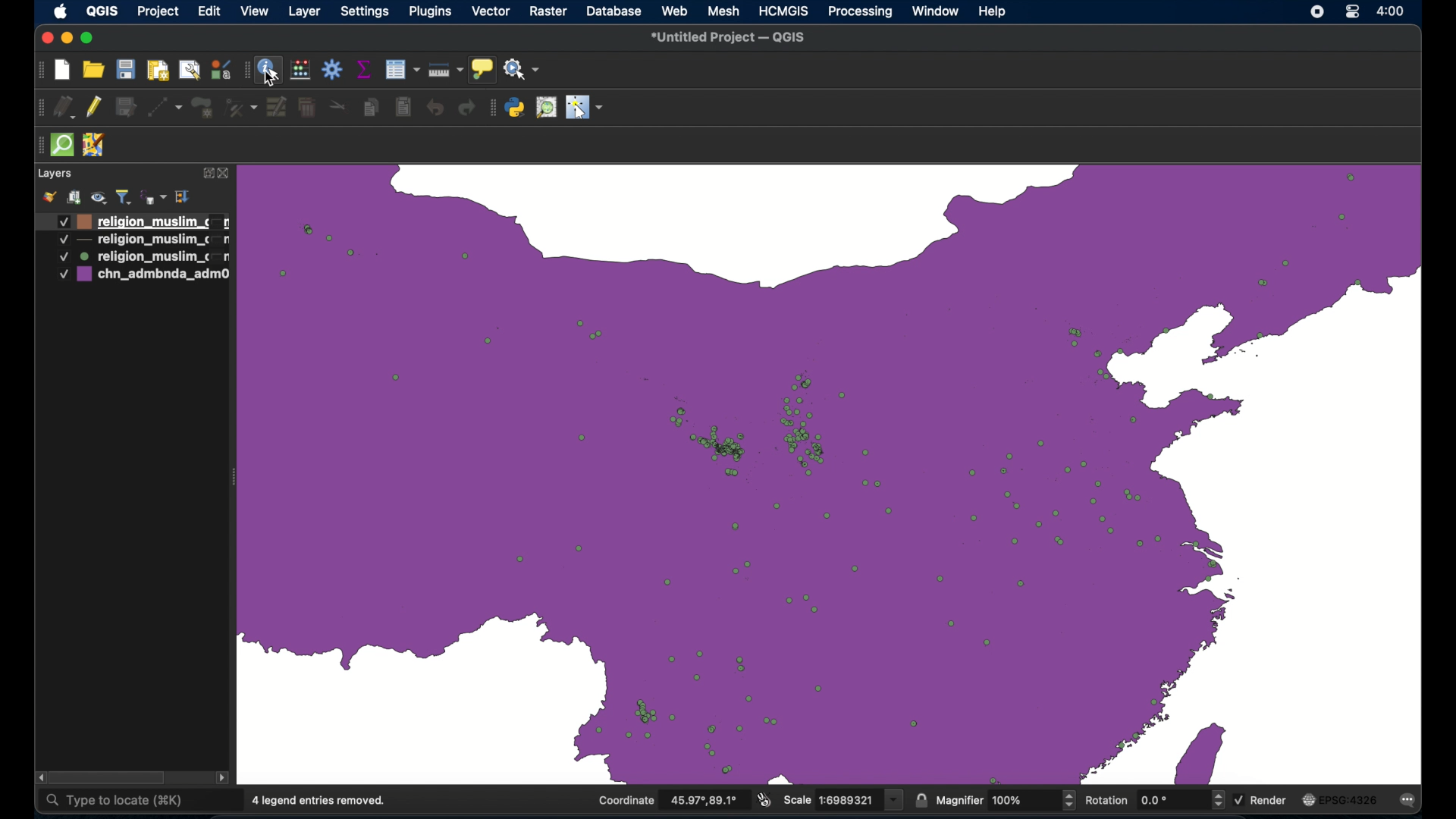 This screenshot has width=1456, height=819. What do you see at coordinates (124, 69) in the screenshot?
I see `save project ` at bounding box center [124, 69].